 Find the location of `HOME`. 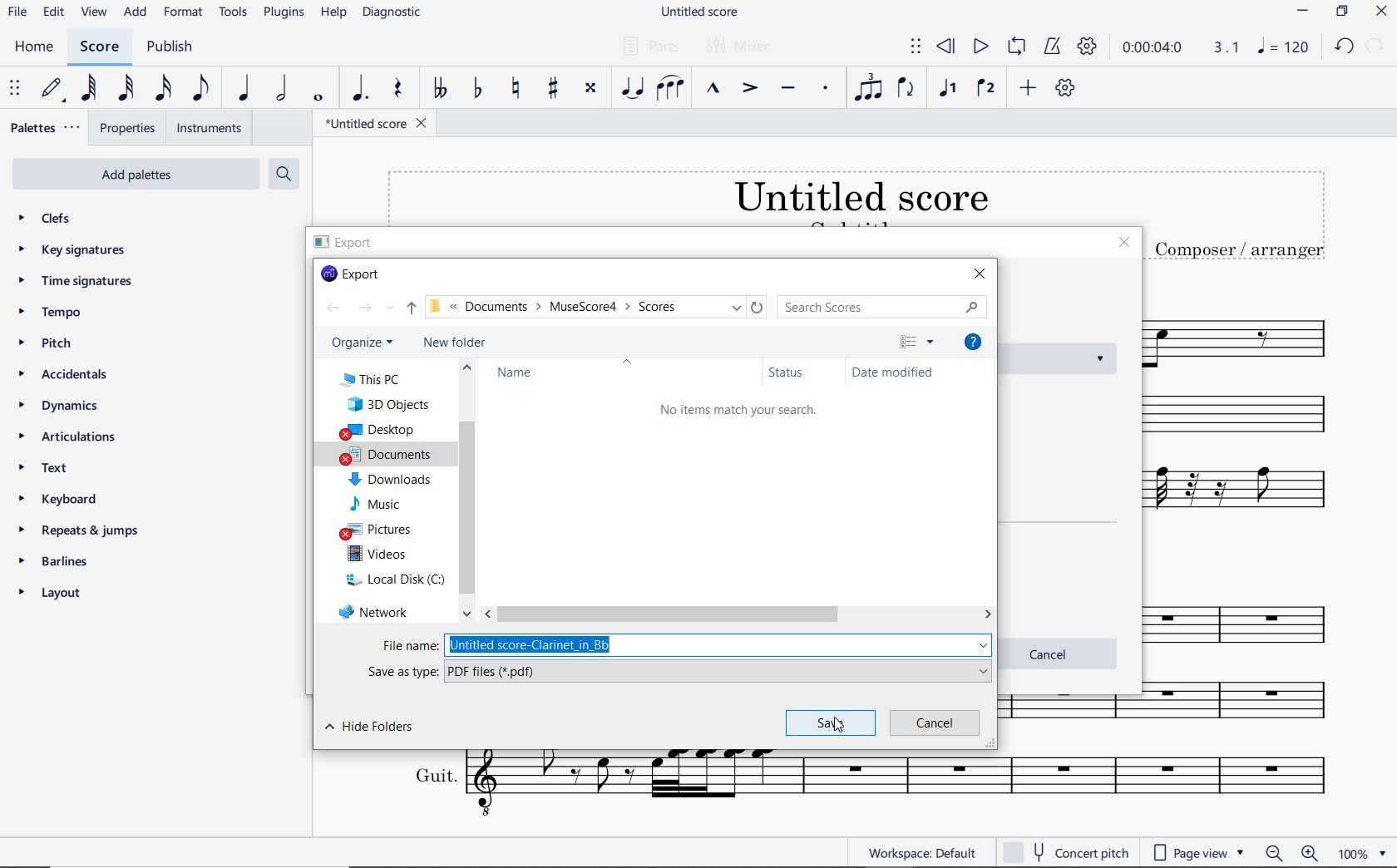

HOME is located at coordinates (34, 47).